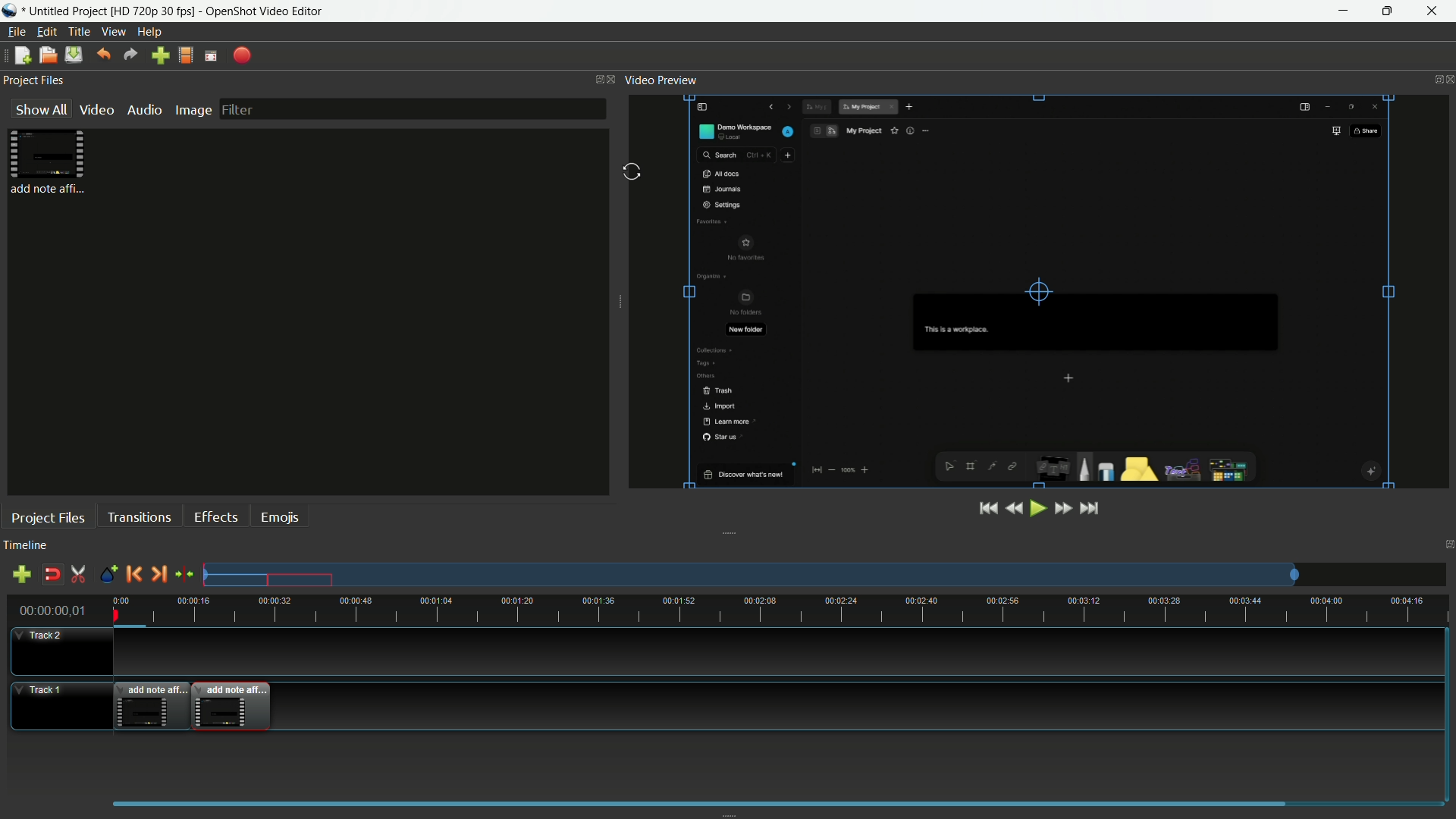  Describe the element at coordinates (1037, 509) in the screenshot. I see `play or pause` at that location.